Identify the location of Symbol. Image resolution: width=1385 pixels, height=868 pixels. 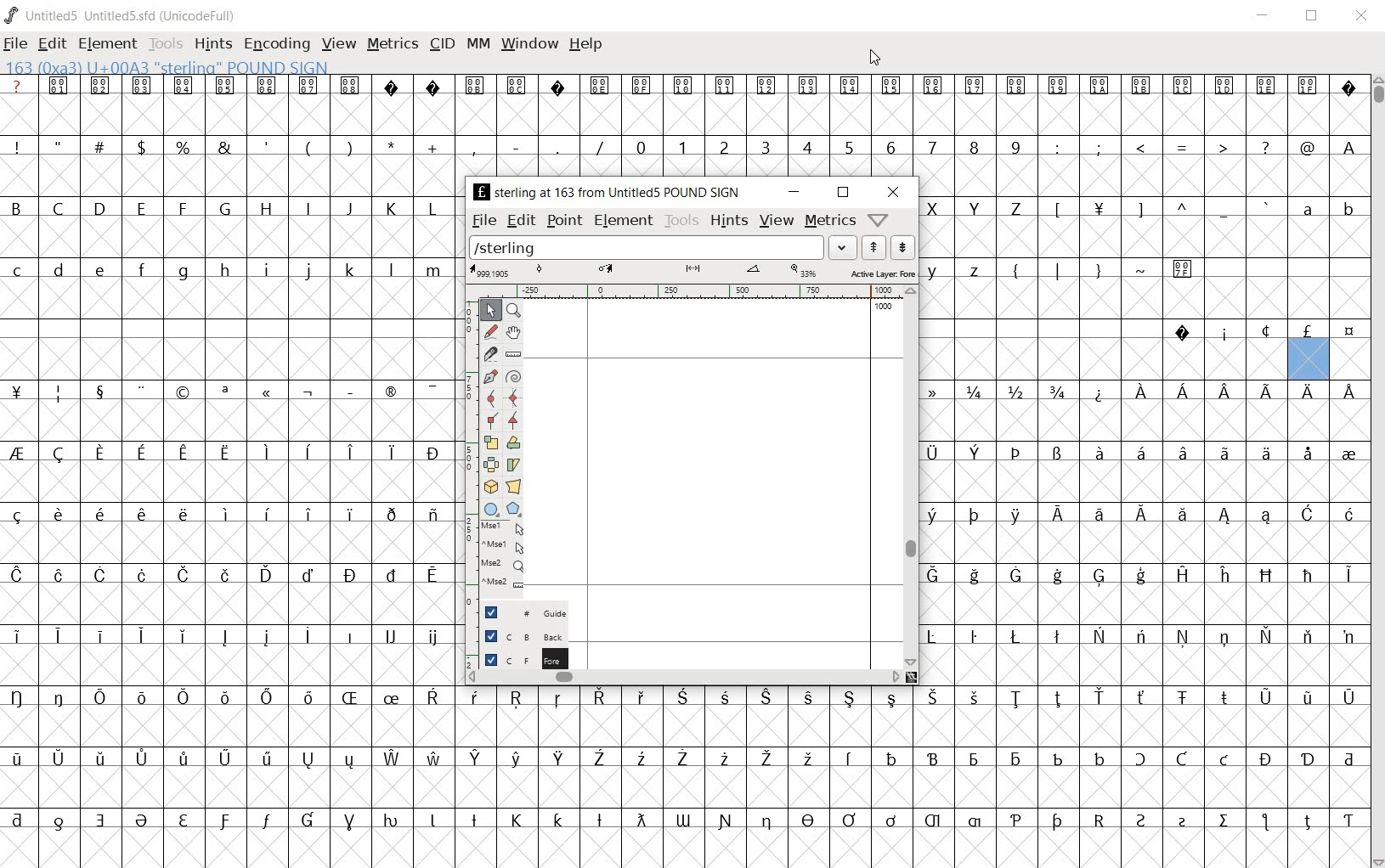
(558, 759).